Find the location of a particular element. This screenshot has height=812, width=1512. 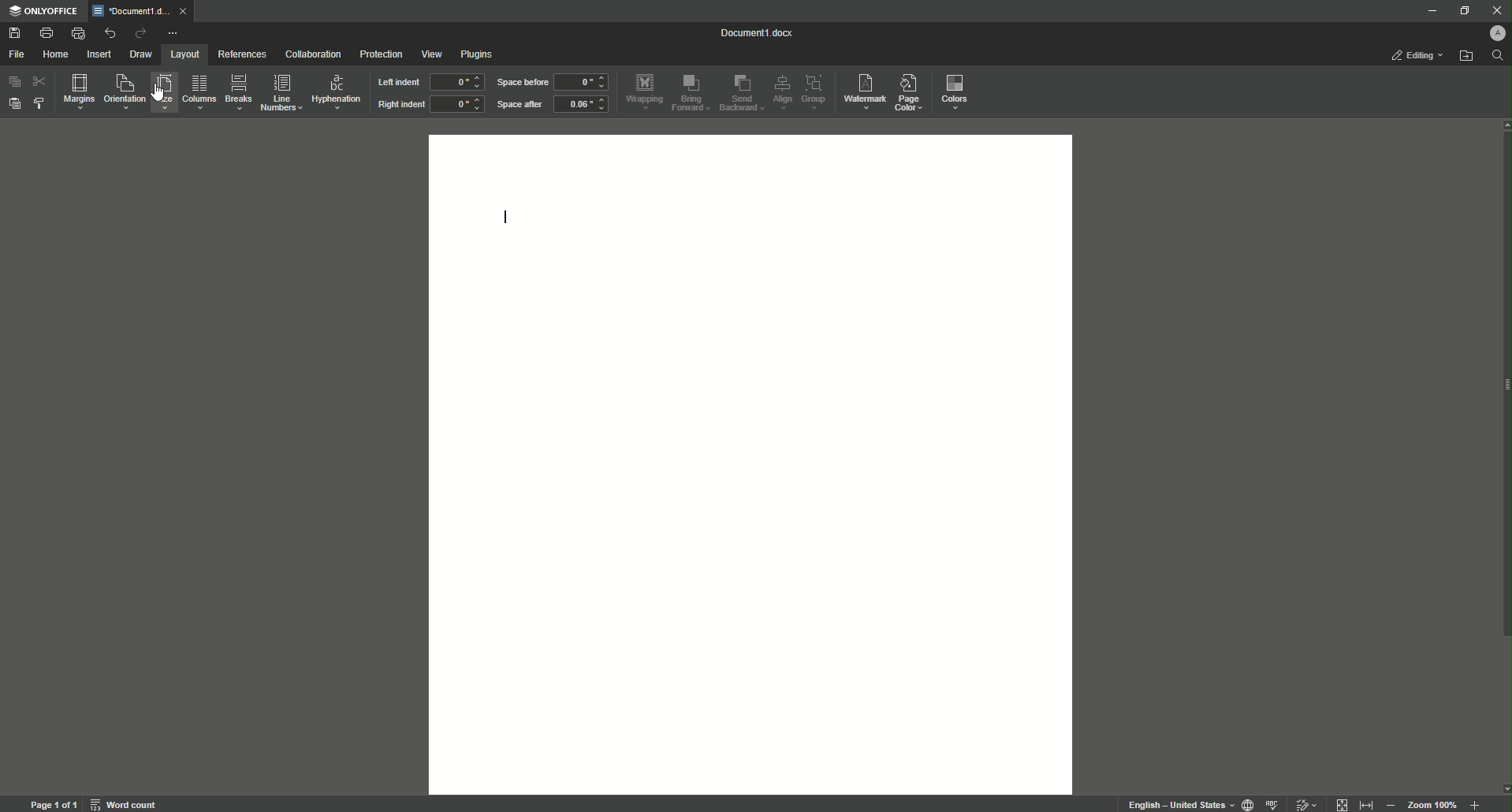

Watermark is located at coordinates (865, 91).